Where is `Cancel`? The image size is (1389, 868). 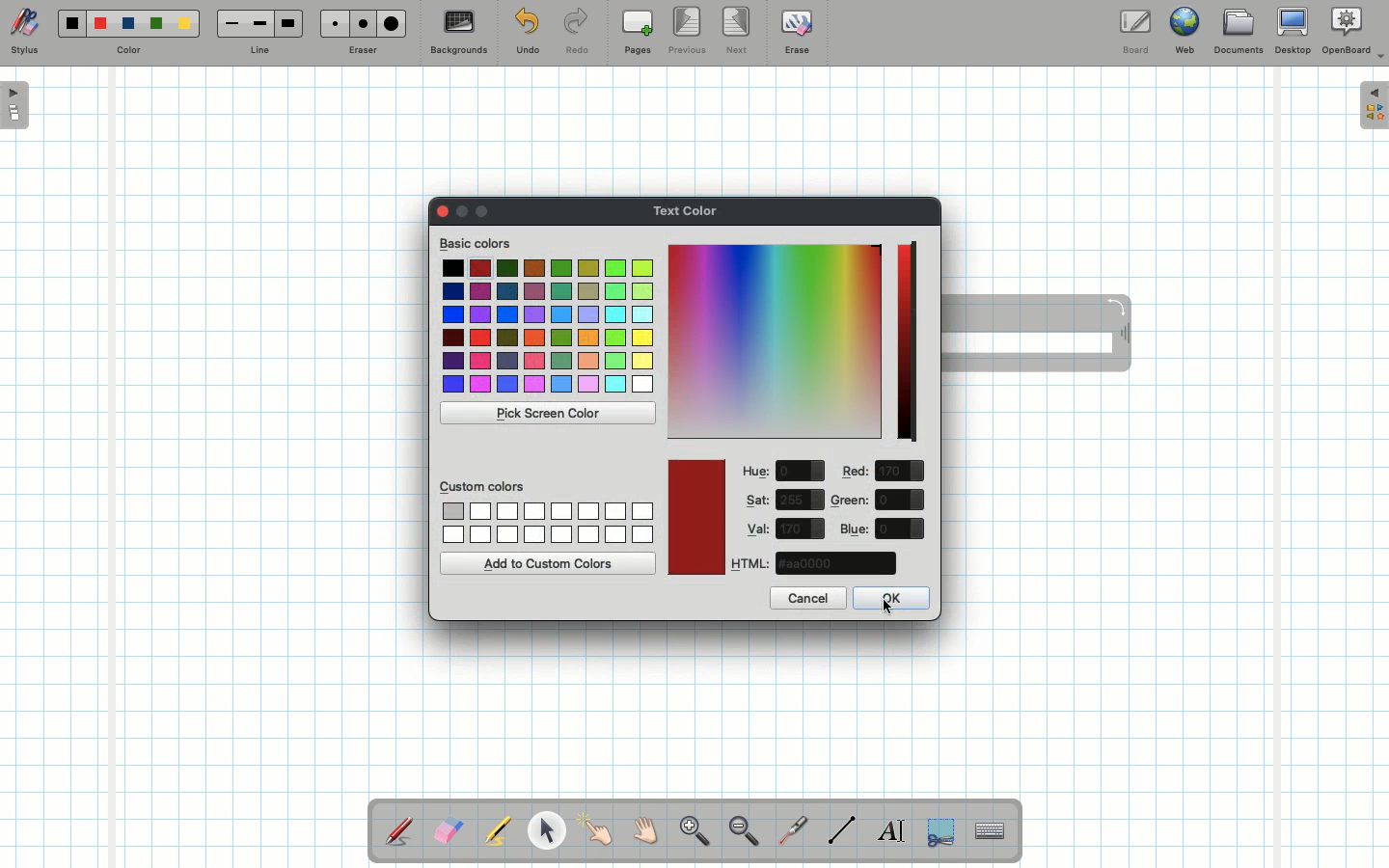
Cancel is located at coordinates (807, 598).